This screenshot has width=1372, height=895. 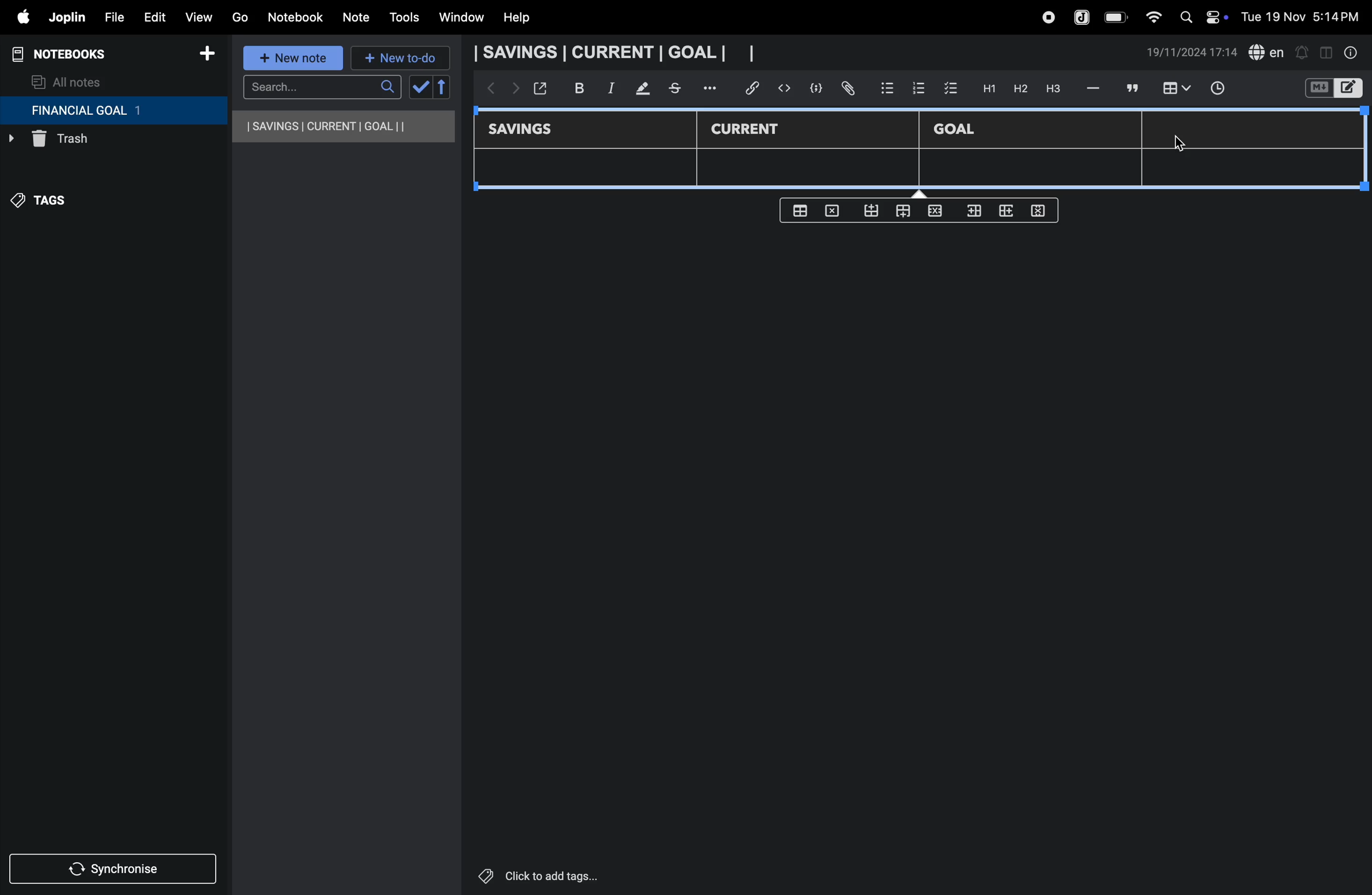 What do you see at coordinates (1053, 89) in the screenshot?
I see `heading 3` at bounding box center [1053, 89].